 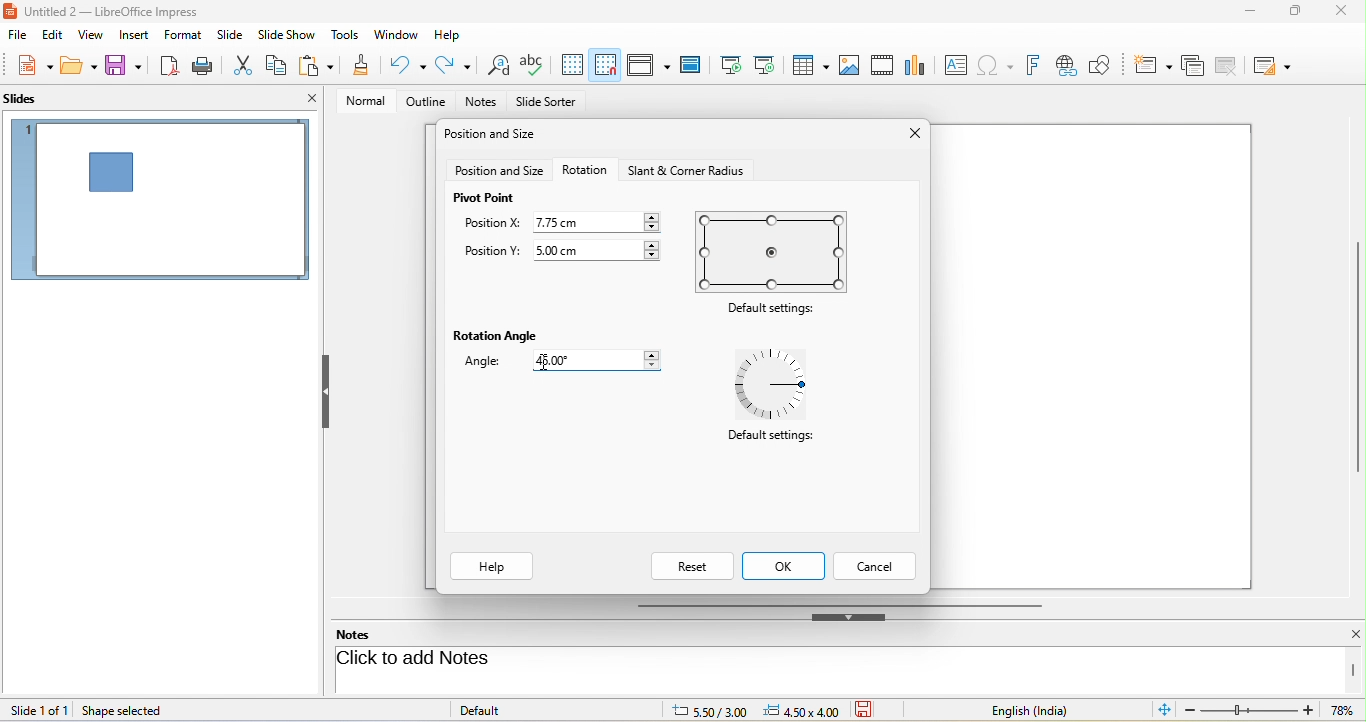 What do you see at coordinates (648, 64) in the screenshot?
I see `display view` at bounding box center [648, 64].